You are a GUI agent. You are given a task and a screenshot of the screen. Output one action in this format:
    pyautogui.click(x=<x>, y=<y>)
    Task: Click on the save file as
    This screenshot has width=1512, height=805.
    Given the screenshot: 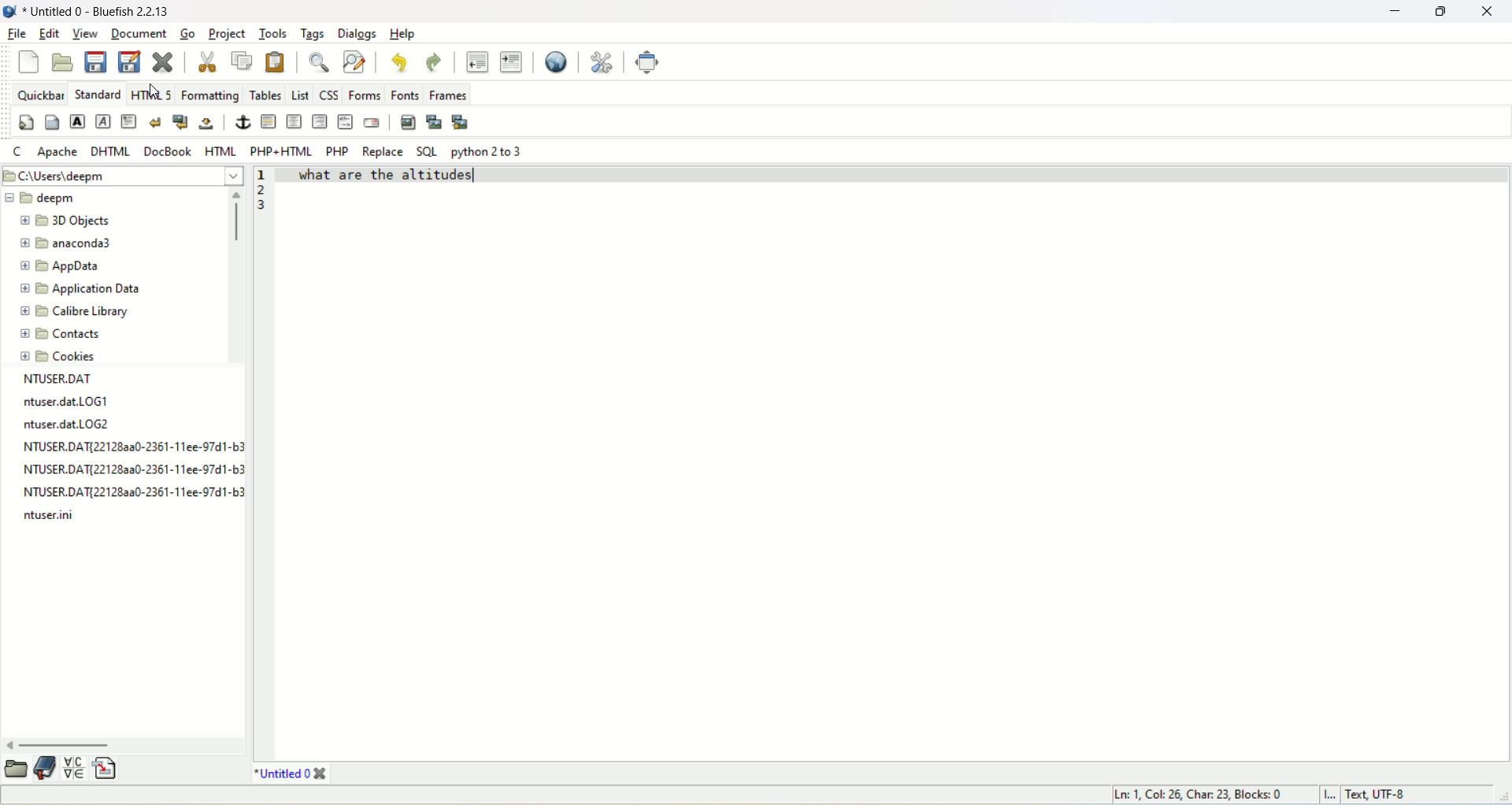 What is the action you would take?
    pyautogui.click(x=132, y=62)
    